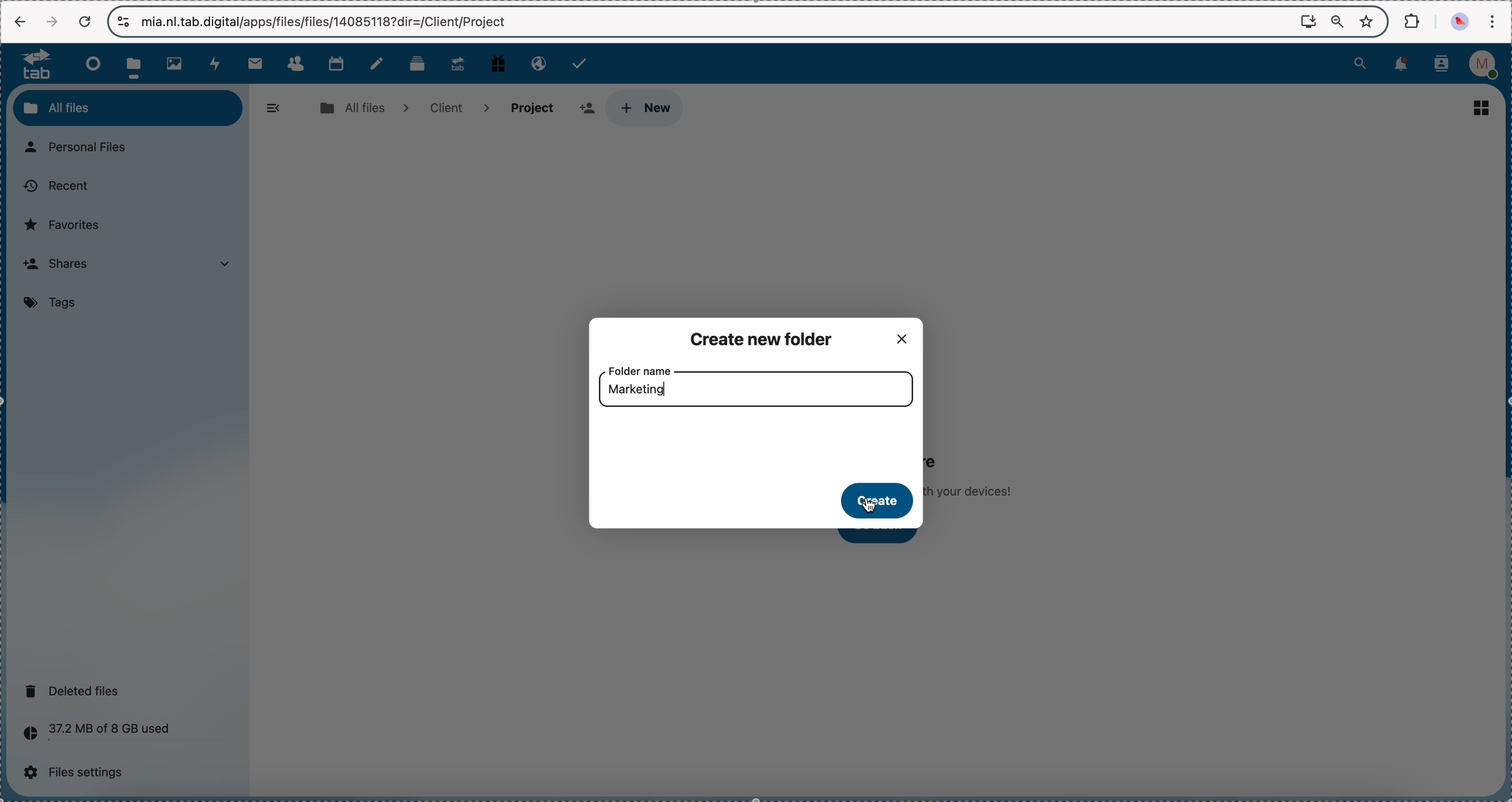  I want to click on photos, so click(178, 64).